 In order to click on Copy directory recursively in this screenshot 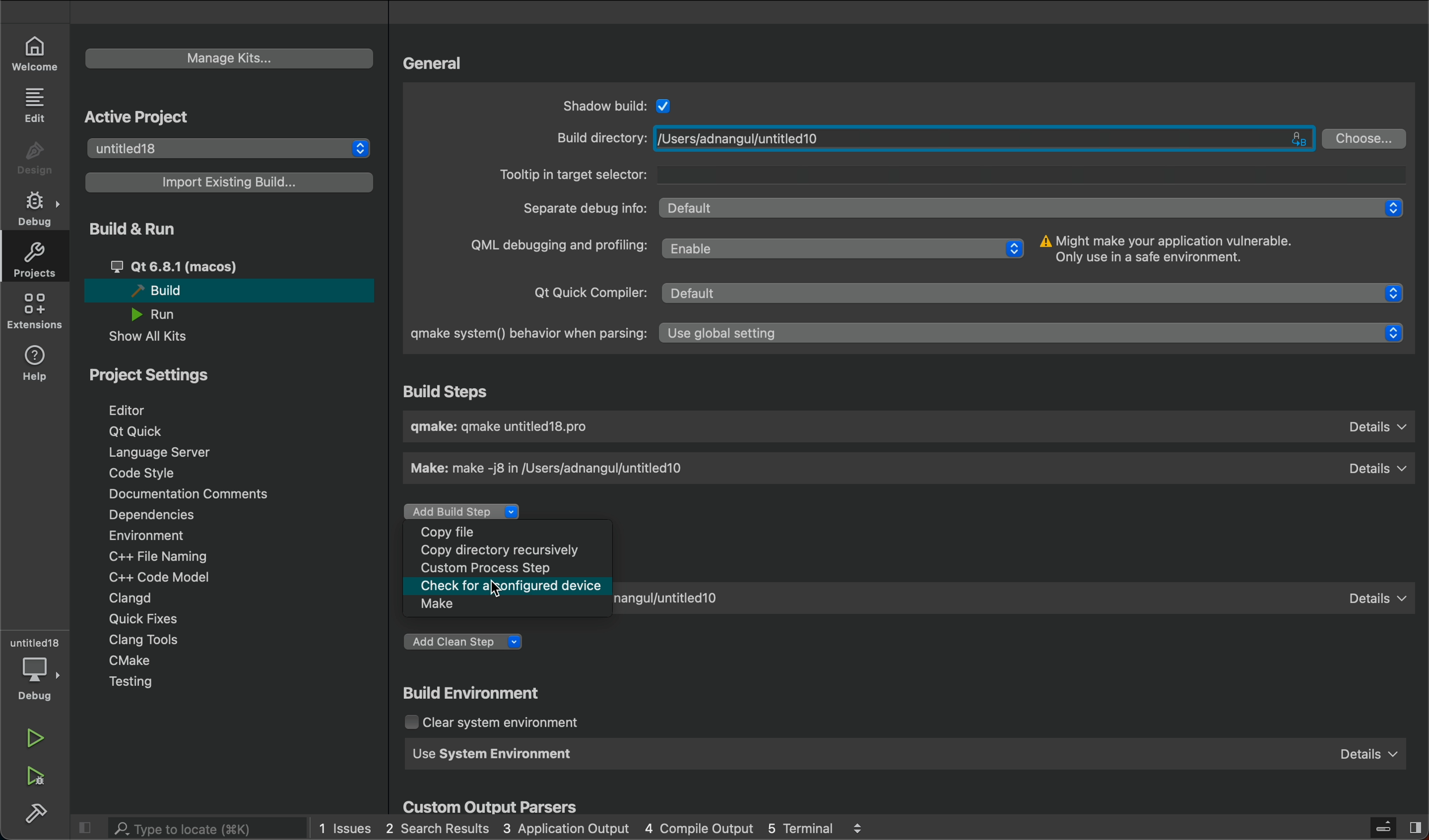, I will do `click(503, 549)`.